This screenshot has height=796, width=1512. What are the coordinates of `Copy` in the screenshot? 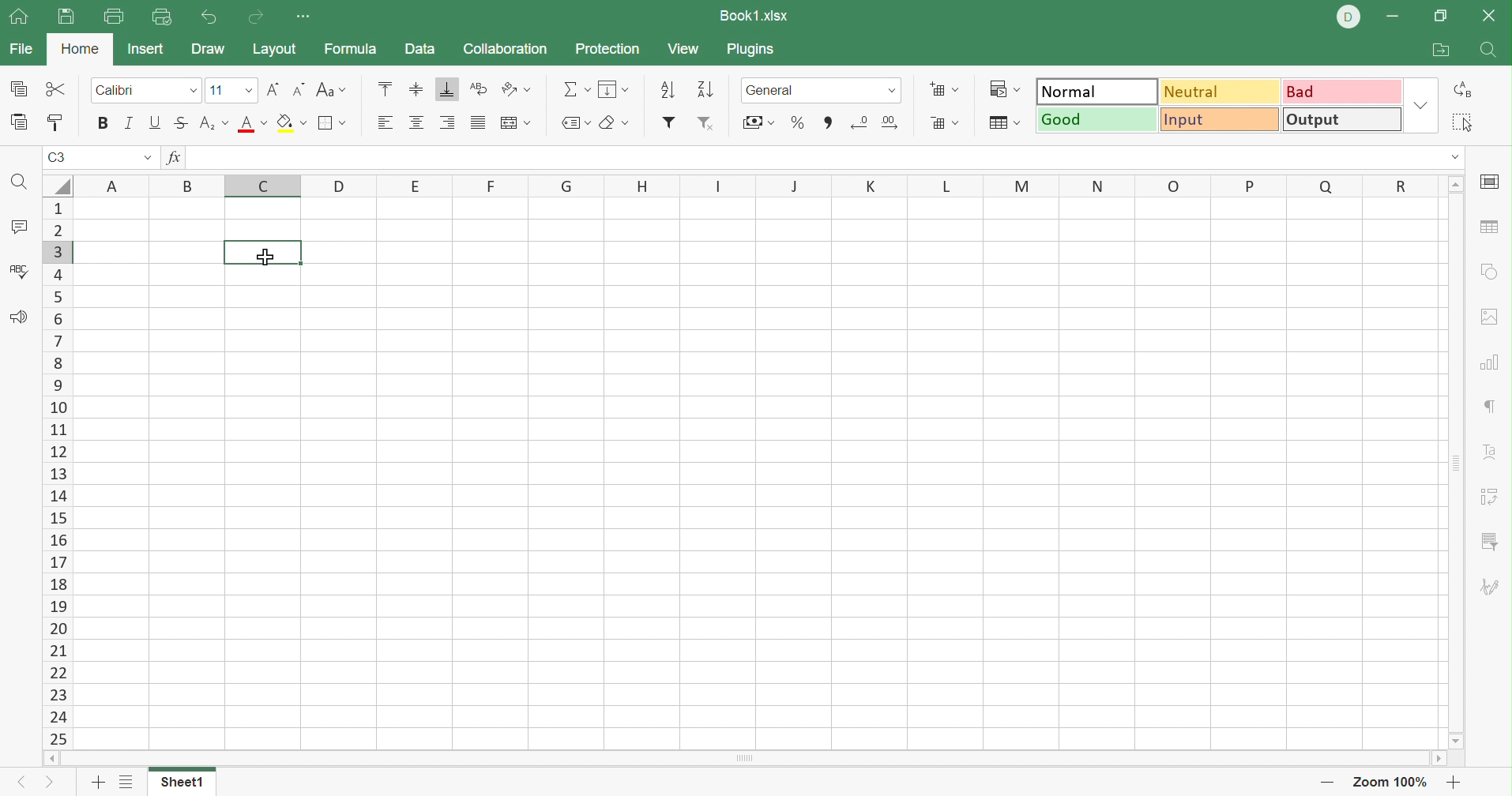 It's located at (20, 88).